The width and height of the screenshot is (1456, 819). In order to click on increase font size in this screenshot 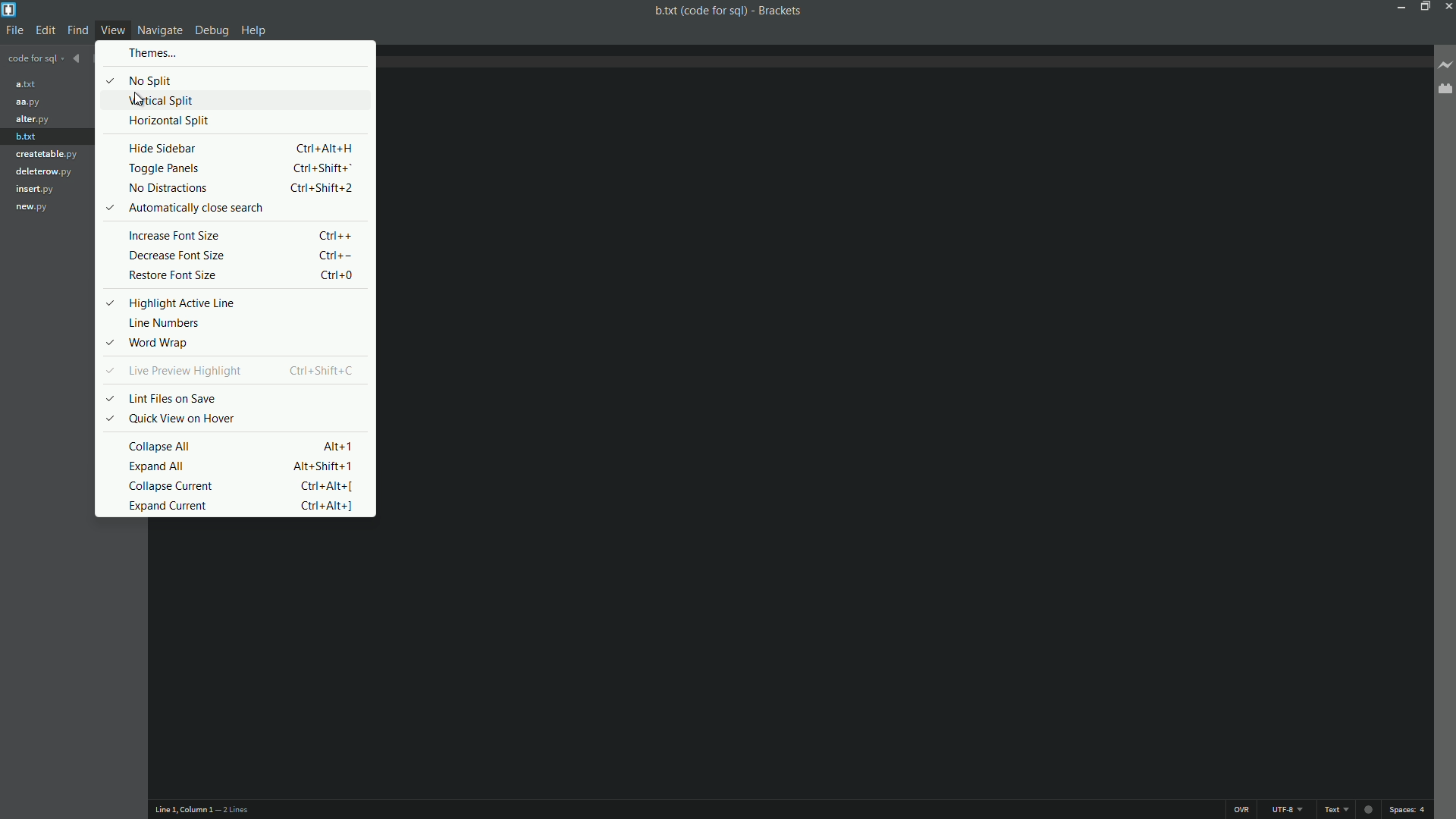, I will do `click(243, 235)`.